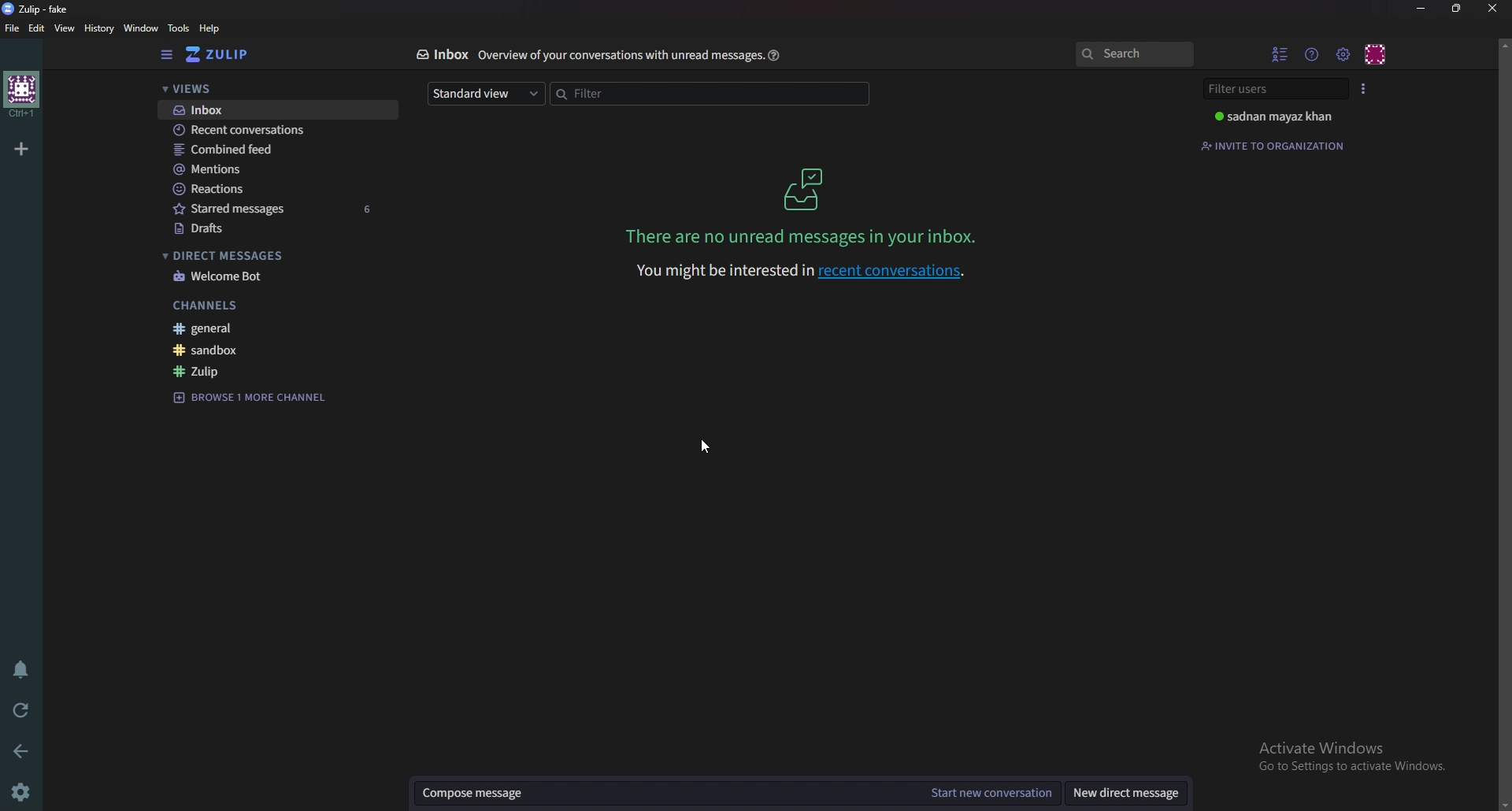  Describe the element at coordinates (1364, 89) in the screenshot. I see `User list style` at that location.